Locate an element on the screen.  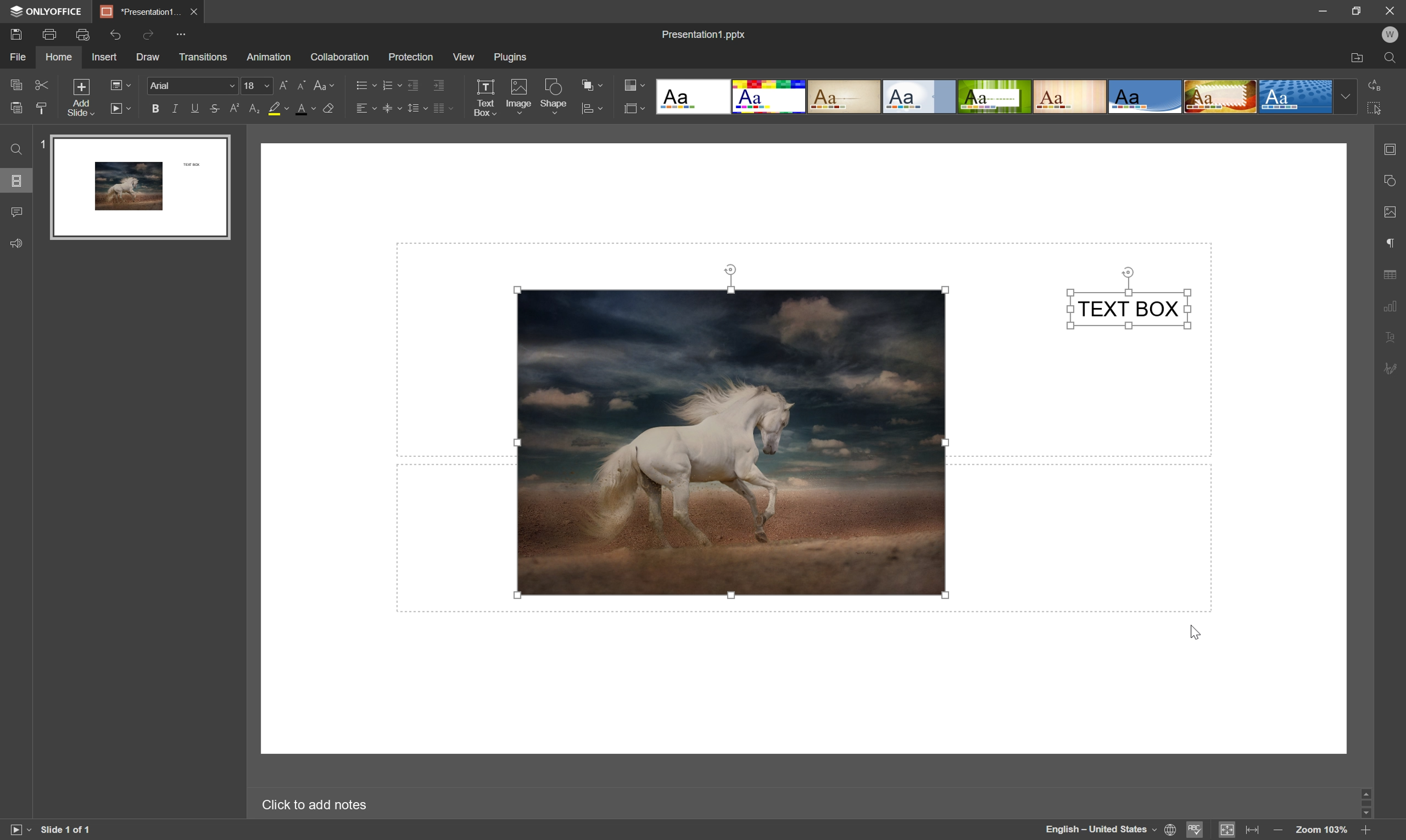
Classic is located at coordinates (845, 98).